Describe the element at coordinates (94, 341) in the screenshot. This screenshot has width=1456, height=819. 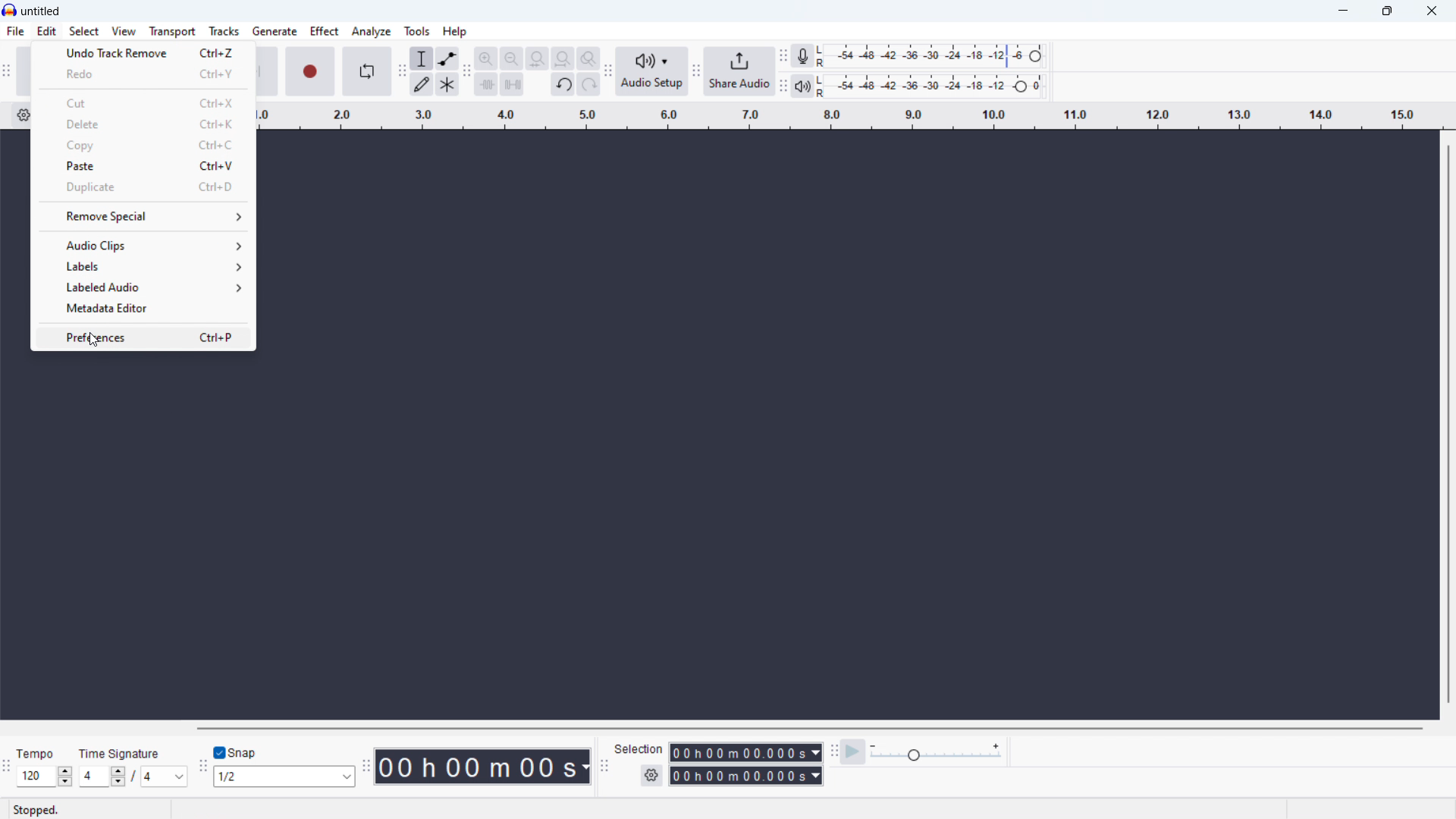
I see `cursor` at that location.